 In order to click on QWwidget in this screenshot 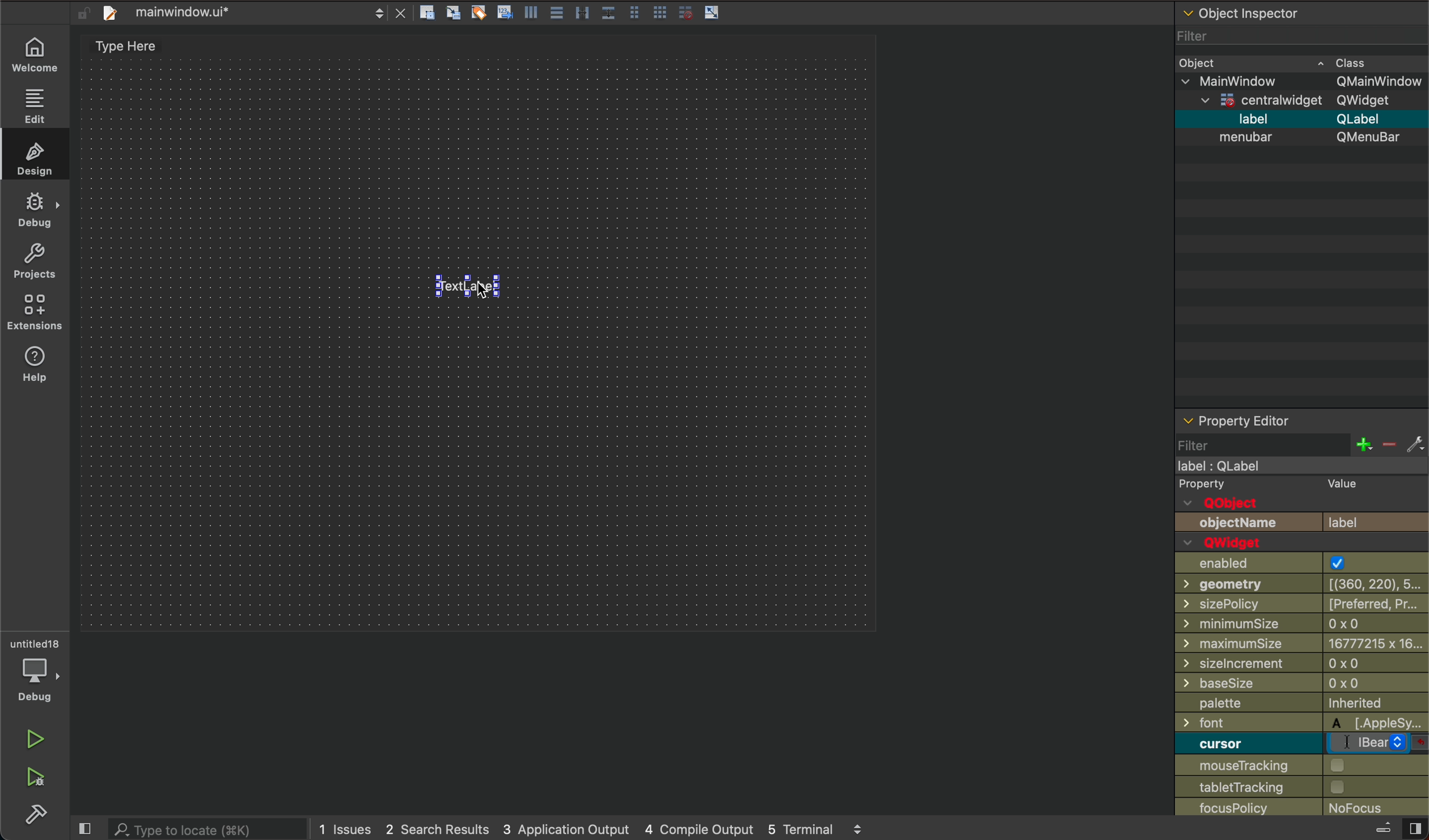, I will do `click(1255, 544)`.